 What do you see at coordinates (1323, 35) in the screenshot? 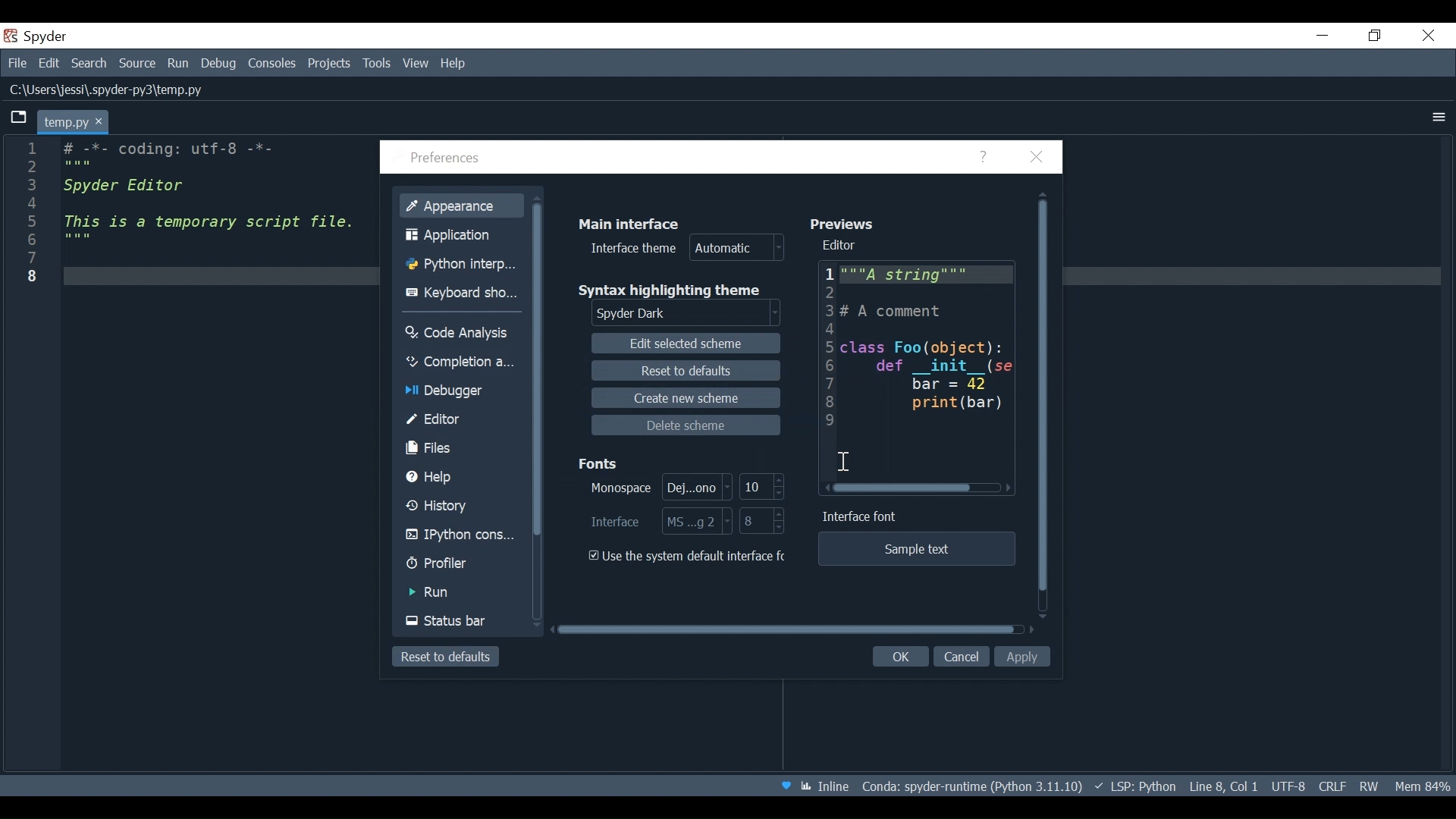
I see `Minimize` at bounding box center [1323, 35].